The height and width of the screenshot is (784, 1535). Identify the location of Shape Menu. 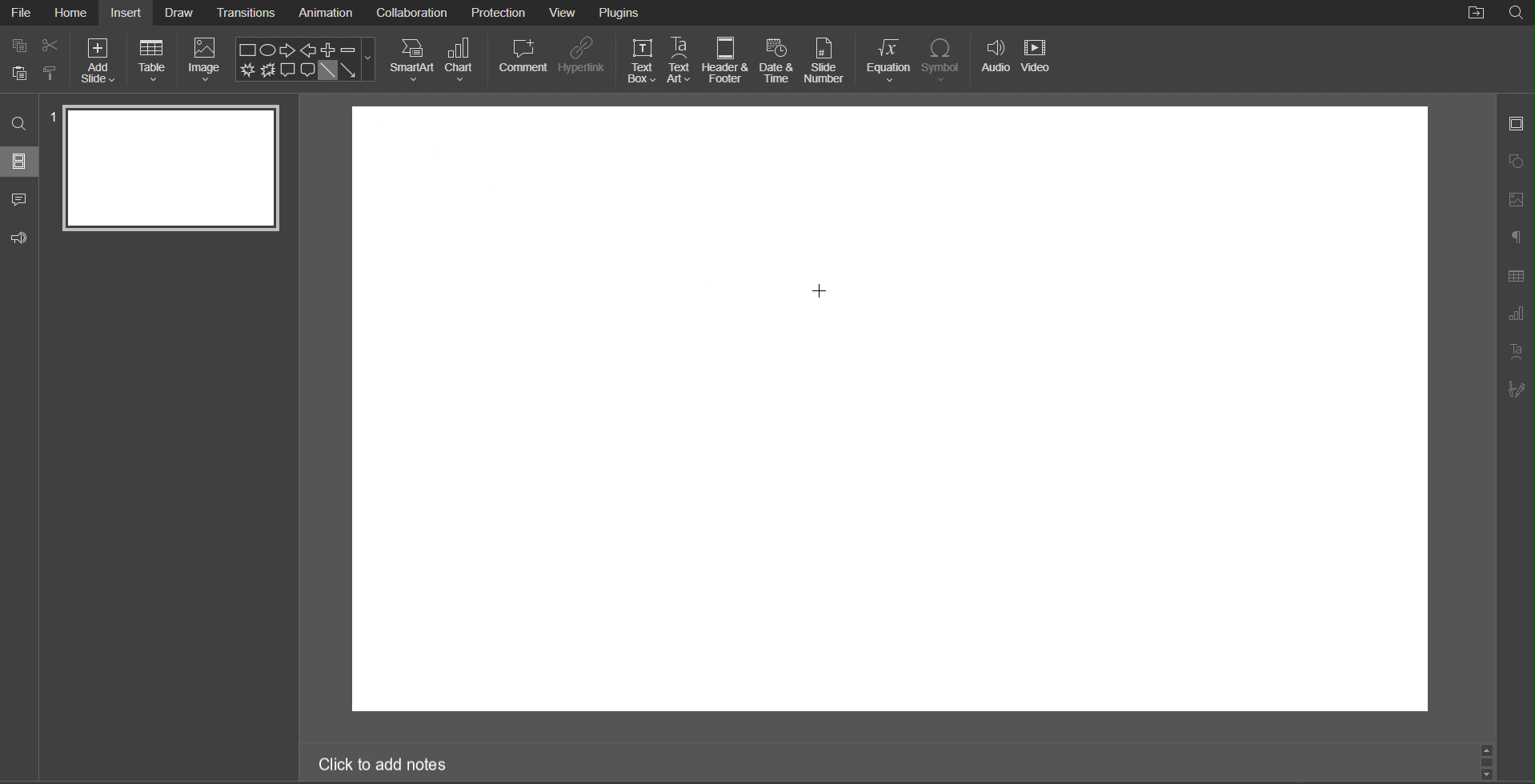
(305, 58).